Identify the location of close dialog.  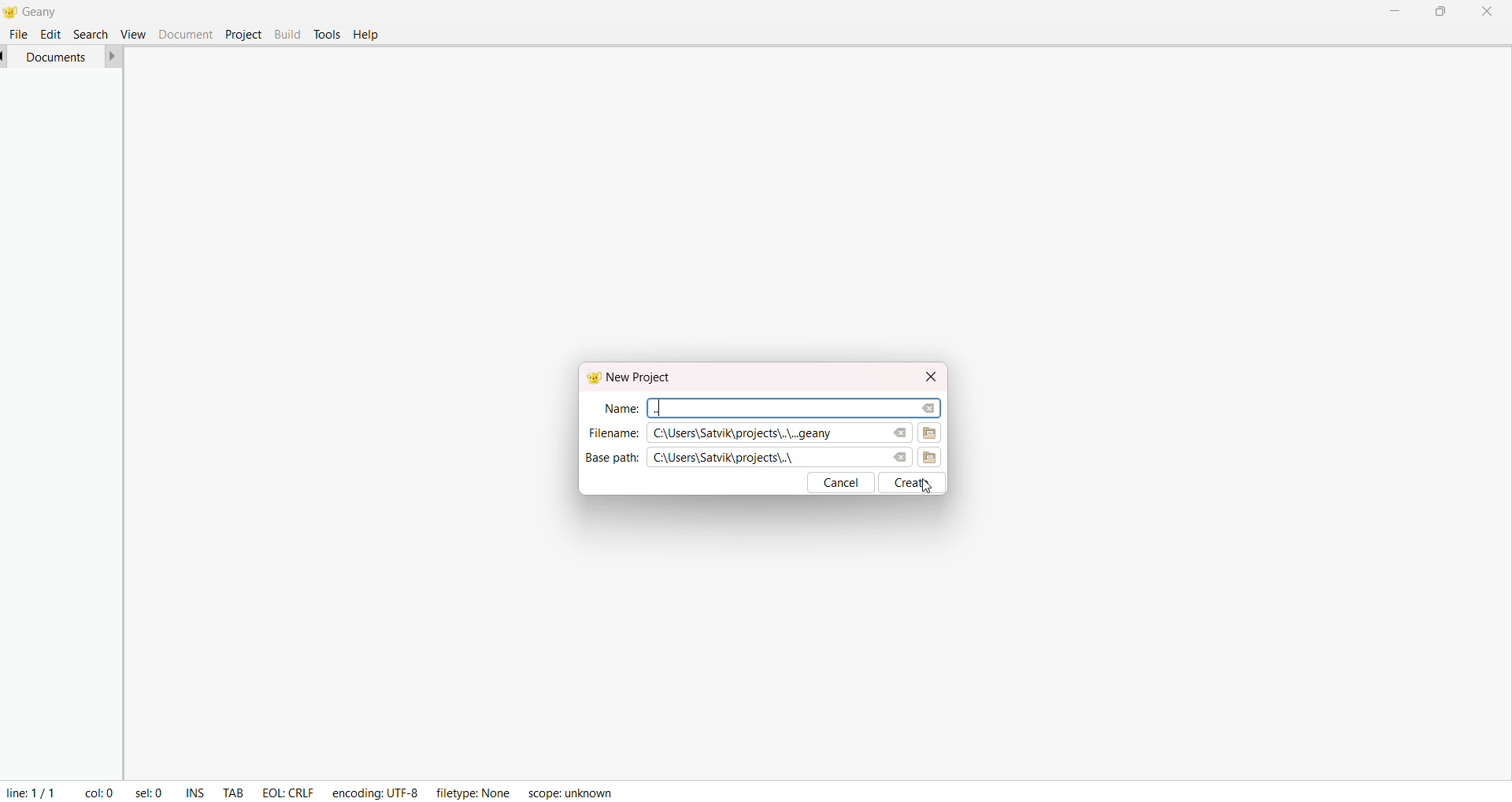
(938, 377).